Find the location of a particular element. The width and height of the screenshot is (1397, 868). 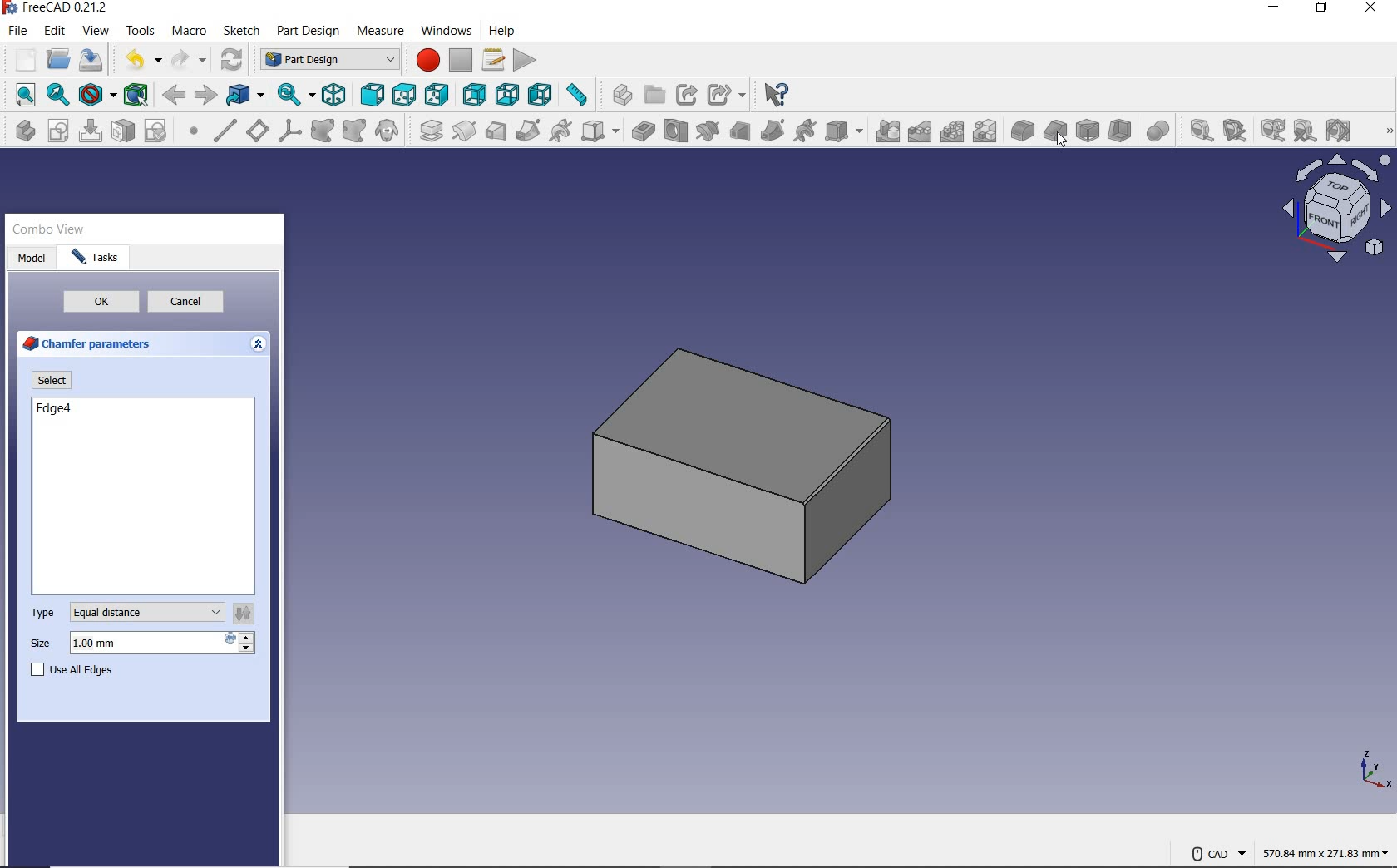

front is located at coordinates (372, 94).